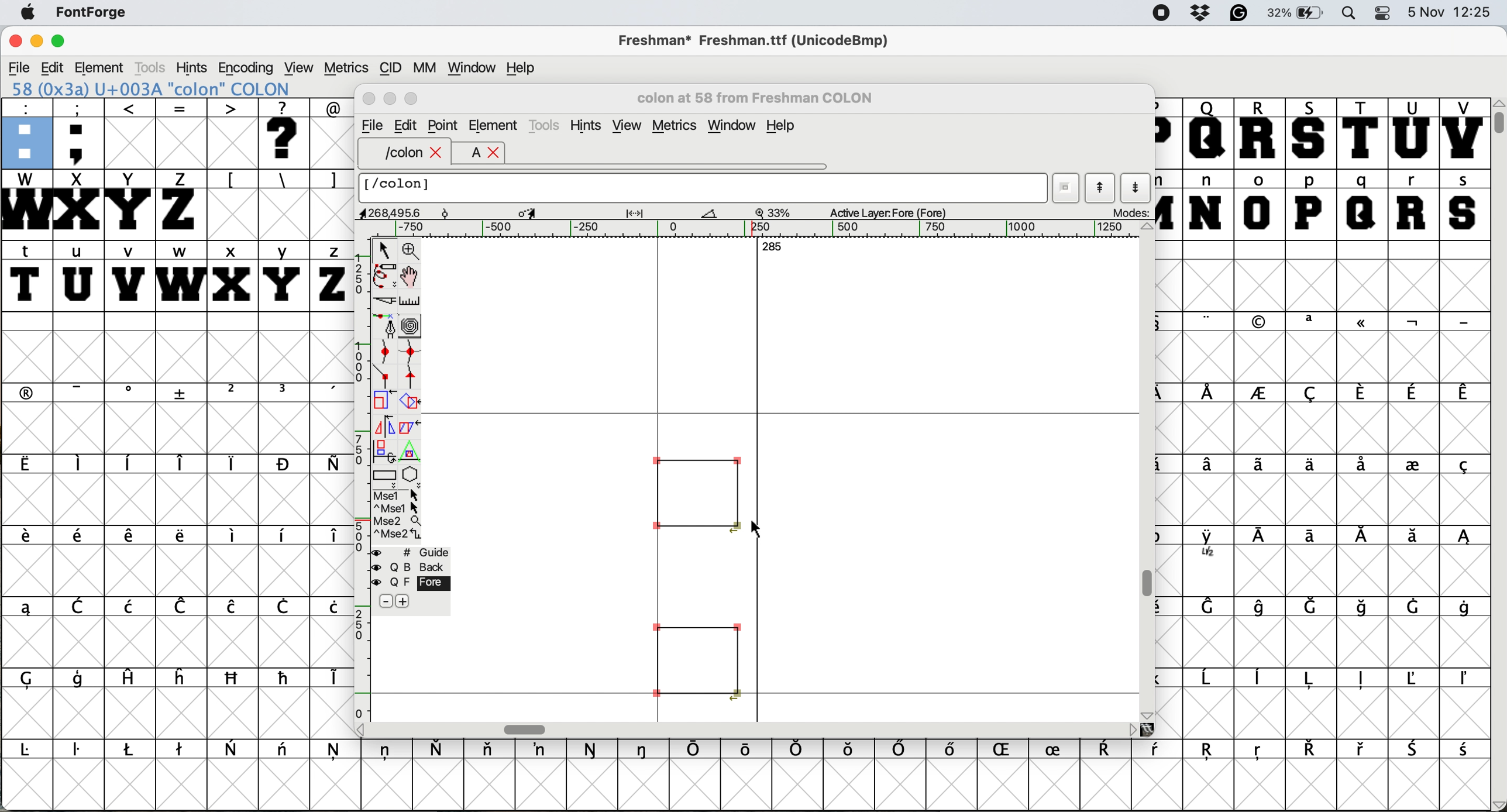 The height and width of the screenshot is (812, 1507). What do you see at coordinates (397, 506) in the screenshot?
I see `^Mse` at bounding box center [397, 506].